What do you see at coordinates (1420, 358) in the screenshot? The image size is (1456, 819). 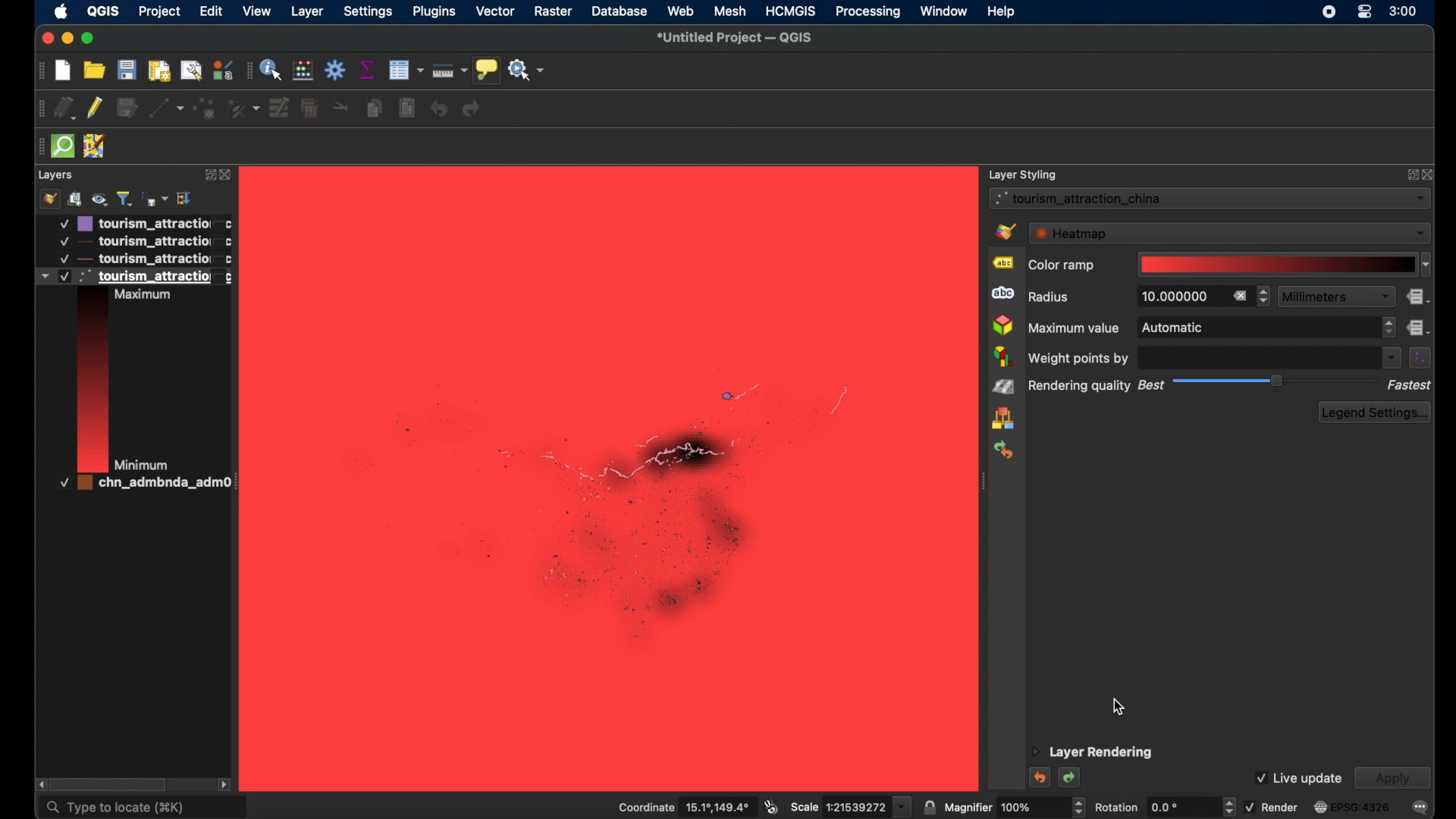 I see `expression builder` at bounding box center [1420, 358].